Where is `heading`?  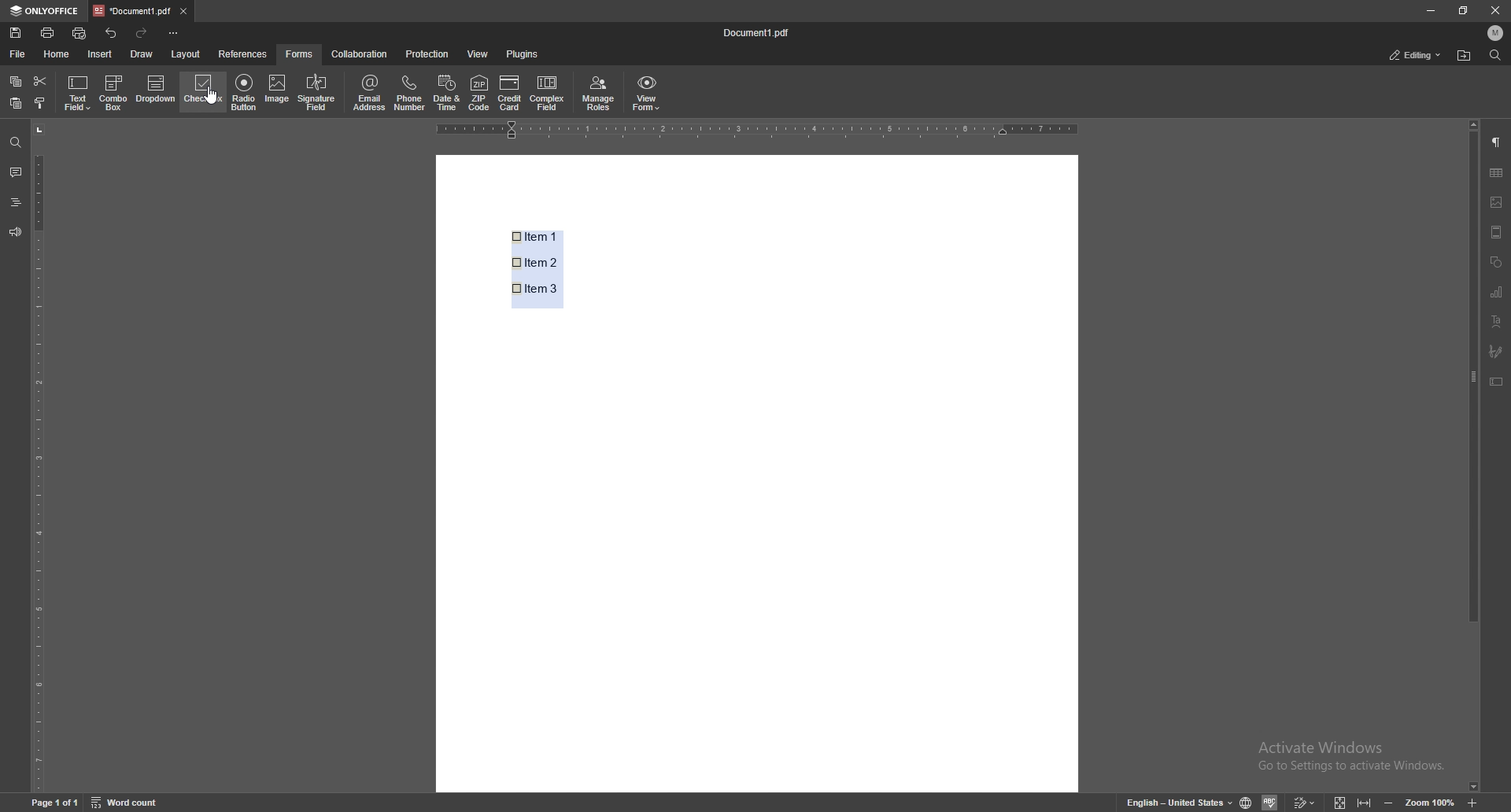
heading is located at coordinates (15, 202).